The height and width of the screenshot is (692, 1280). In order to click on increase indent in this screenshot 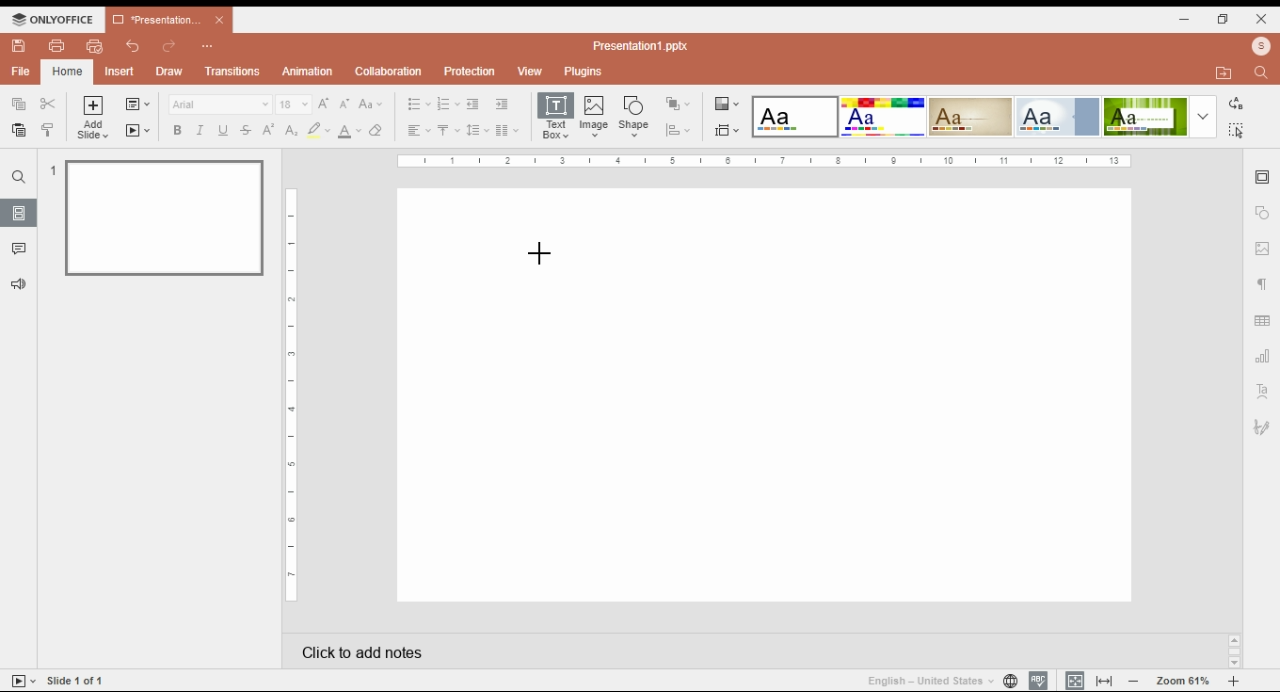, I will do `click(501, 104)`.